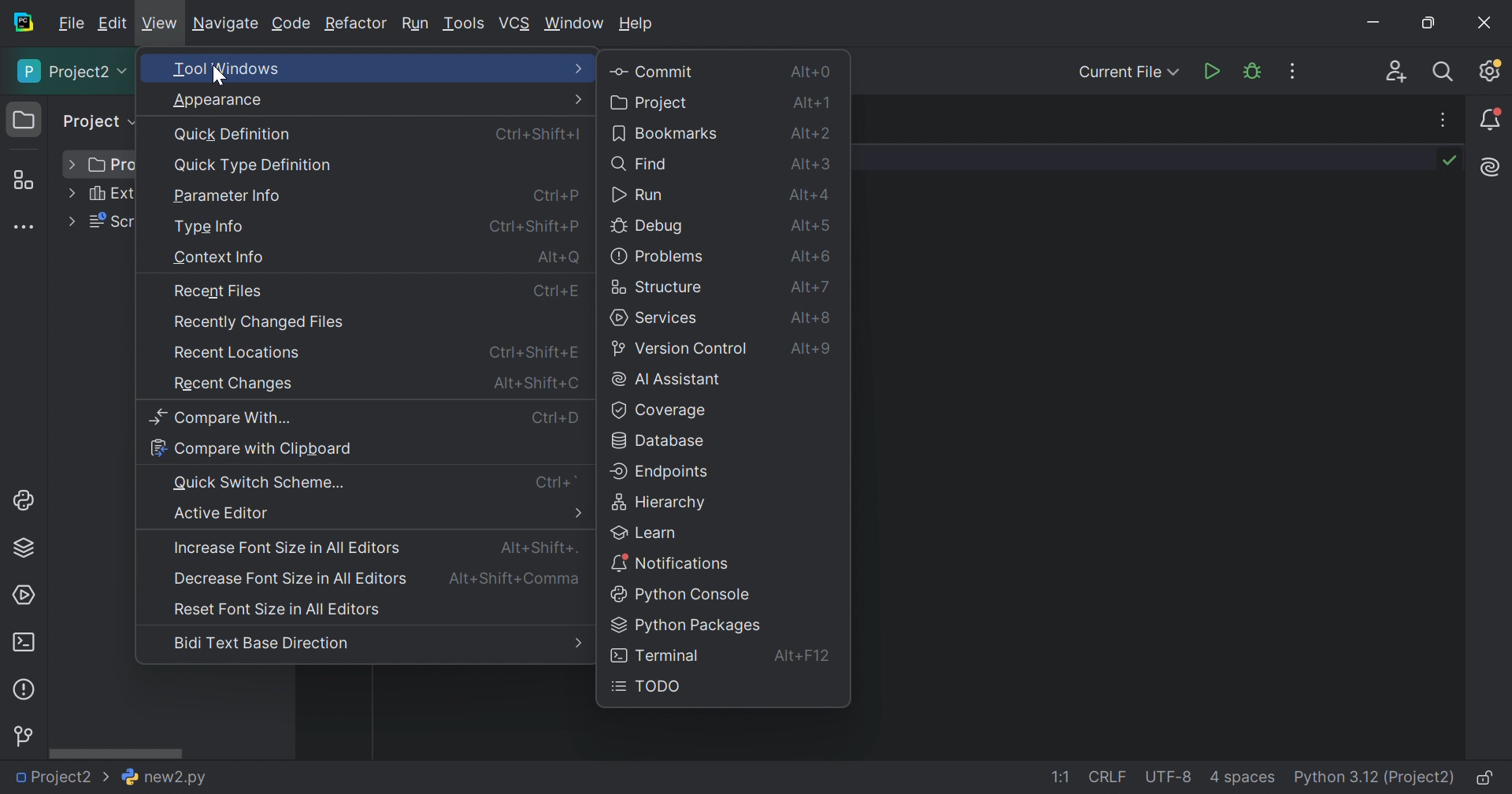  What do you see at coordinates (1128, 73) in the screenshot?
I see `Current File` at bounding box center [1128, 73].